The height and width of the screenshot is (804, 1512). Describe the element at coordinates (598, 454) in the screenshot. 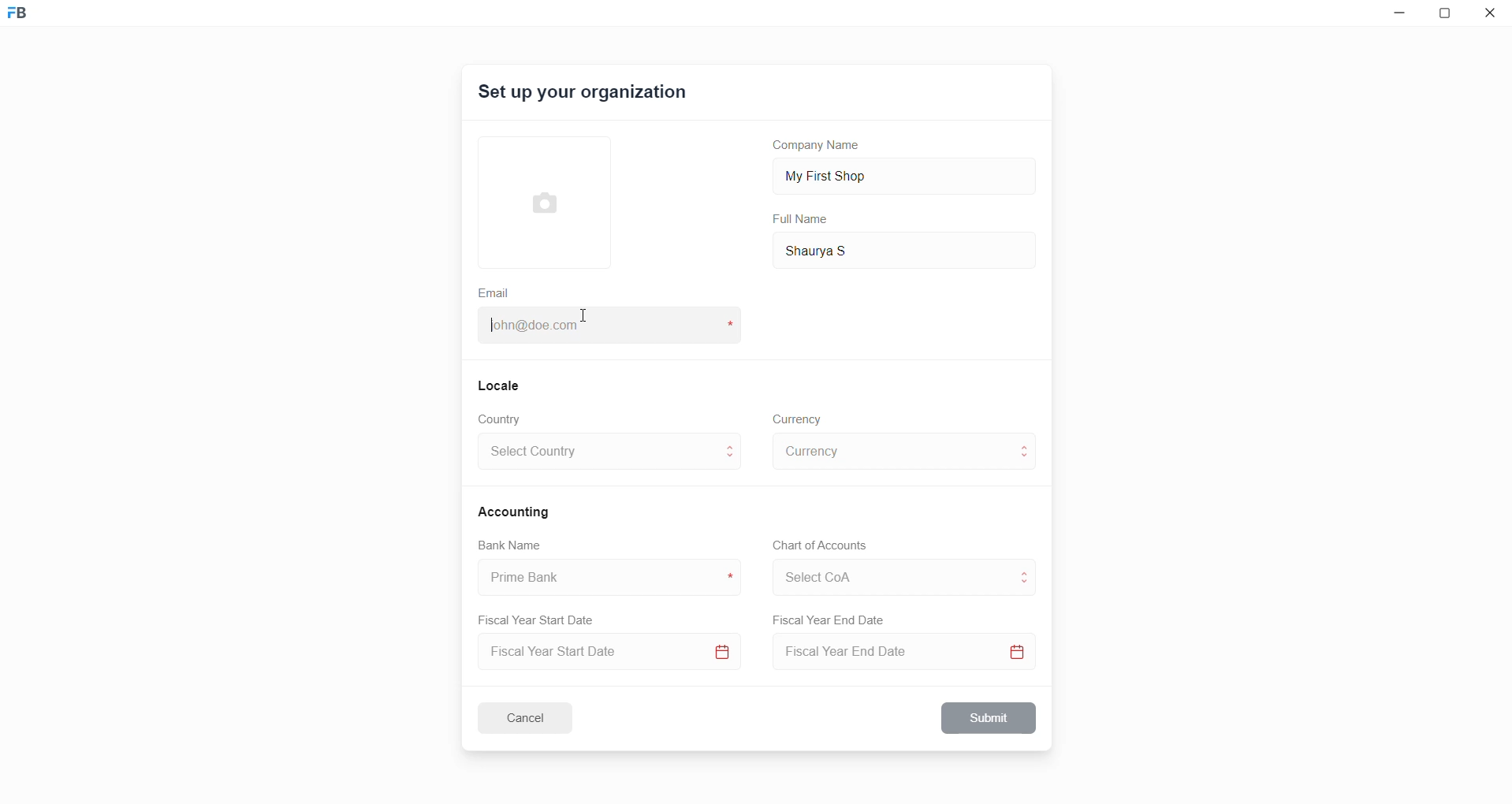

I see `select country` at that location.